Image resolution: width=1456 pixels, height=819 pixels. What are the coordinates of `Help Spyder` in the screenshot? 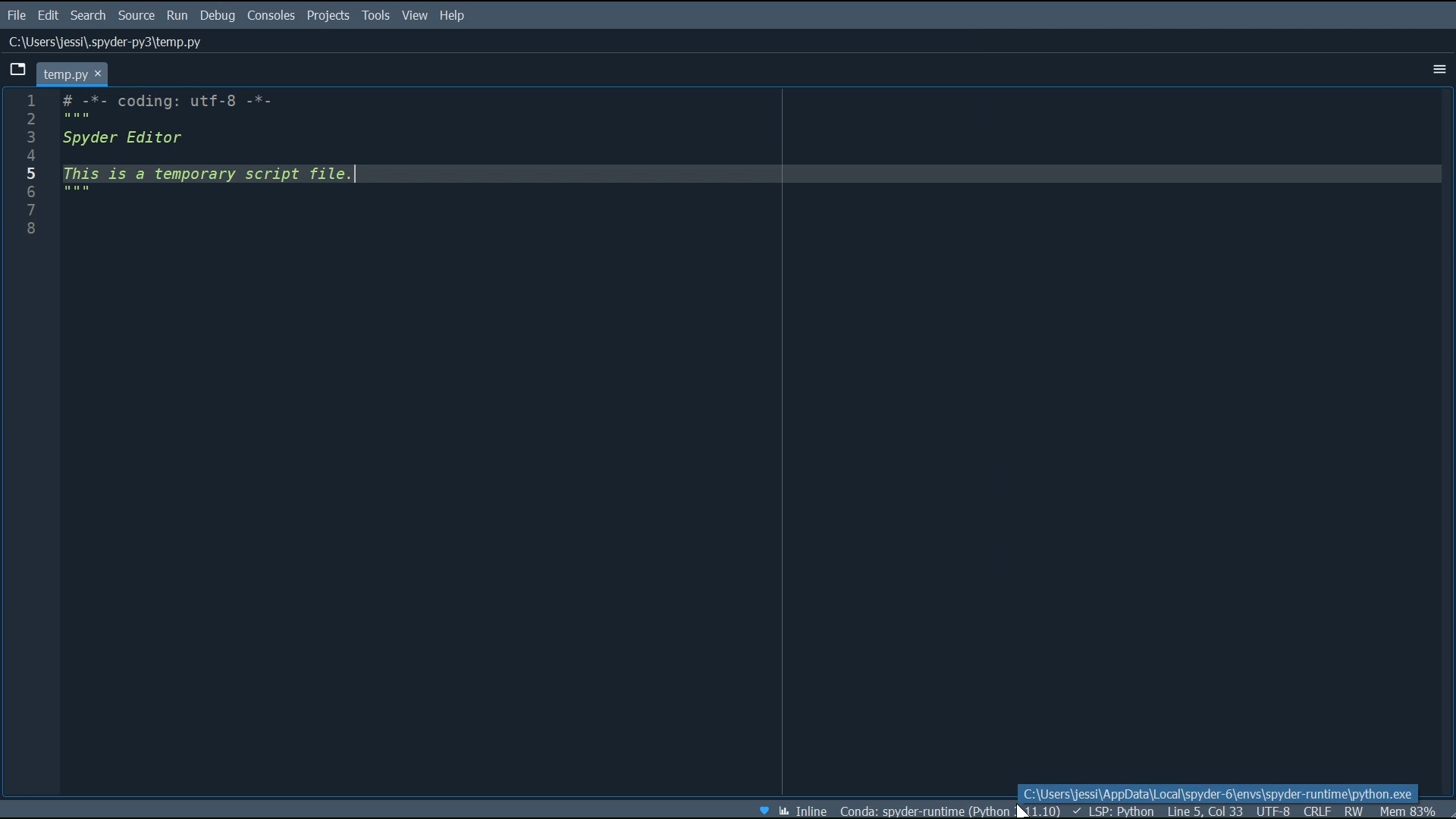 It's located at (764, 808).